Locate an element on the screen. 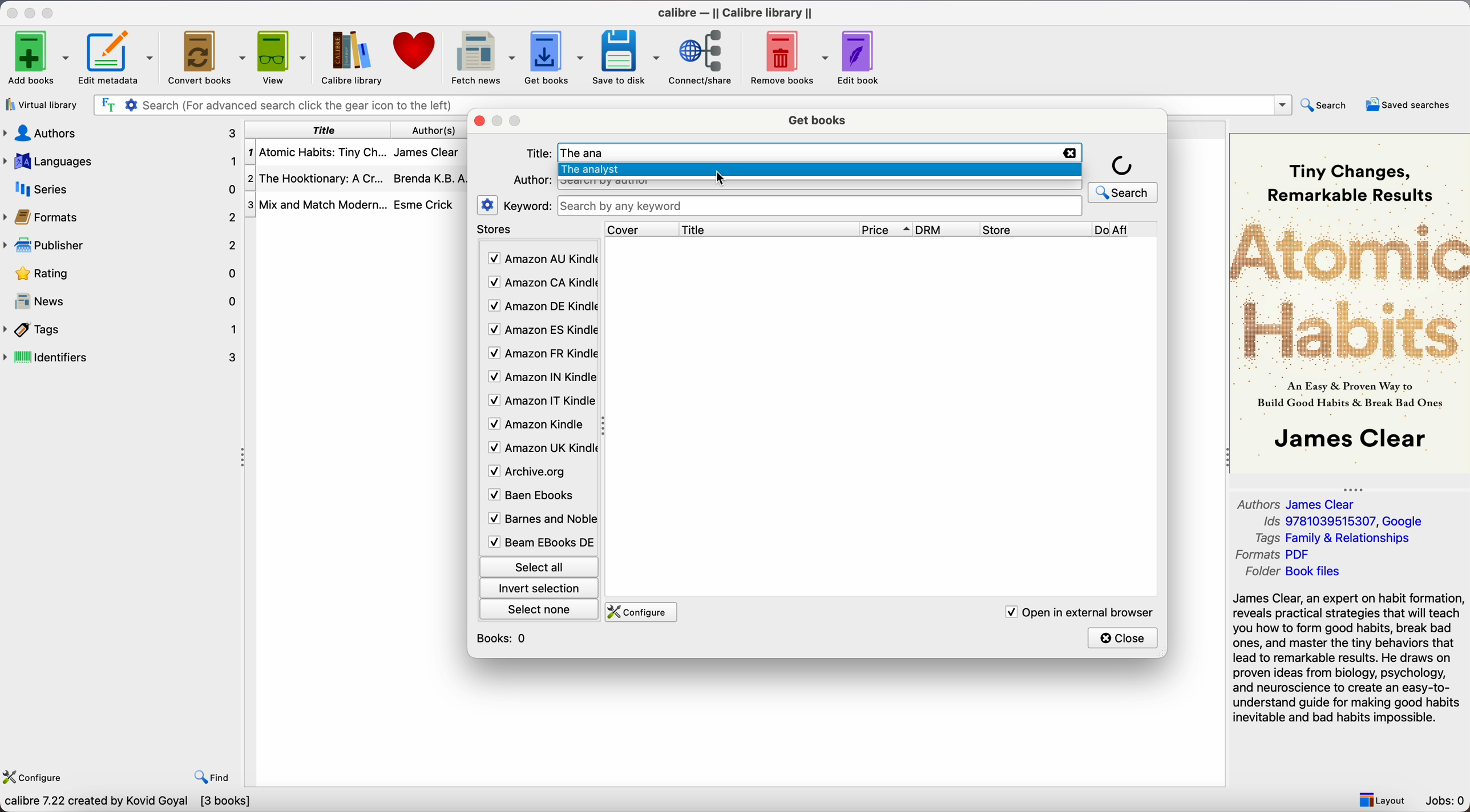  layout is located at coordinates (1382, 800).